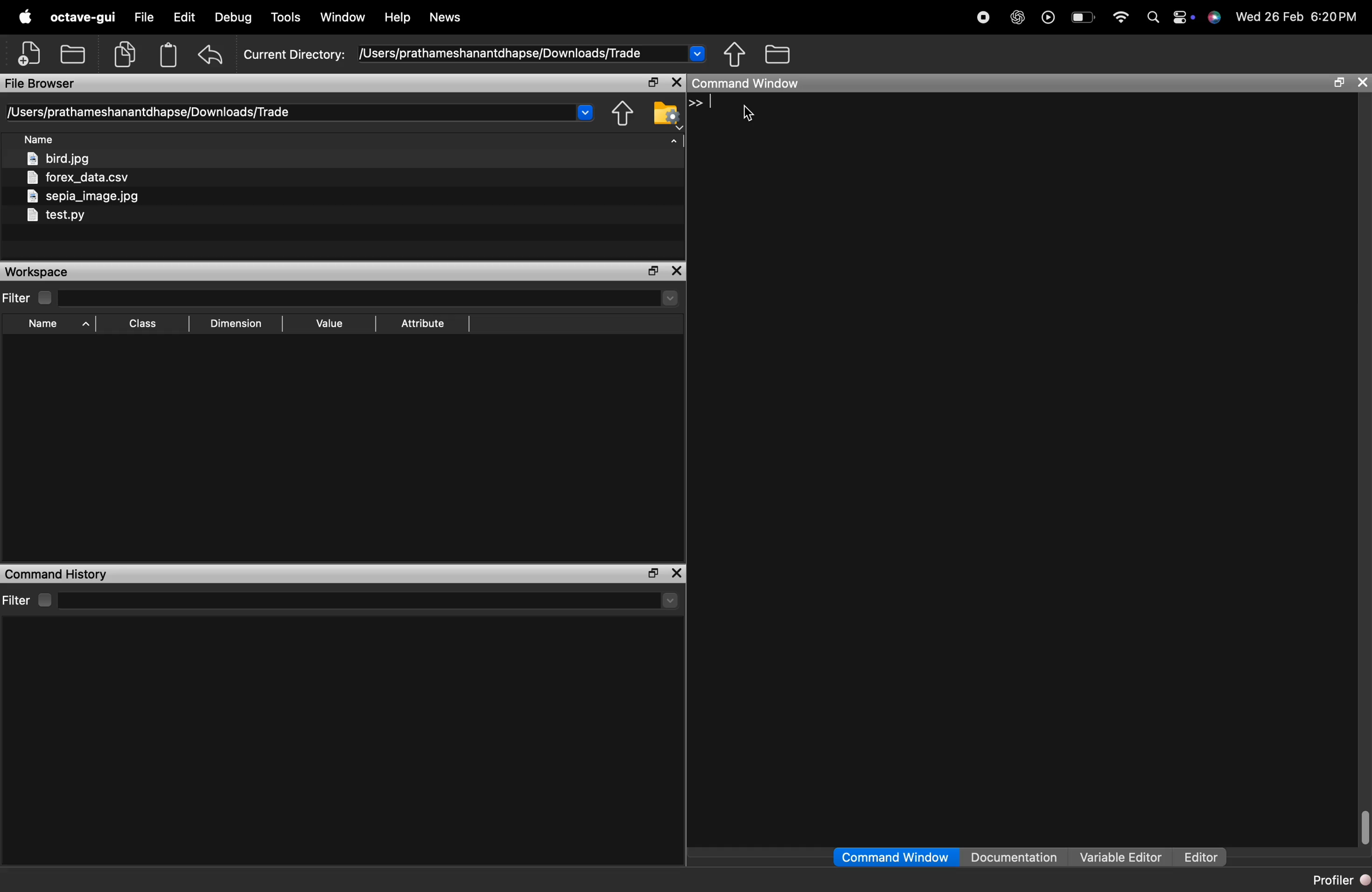 The image size is (1372, 892). I want to click on octave-gui, so click(83, 17).